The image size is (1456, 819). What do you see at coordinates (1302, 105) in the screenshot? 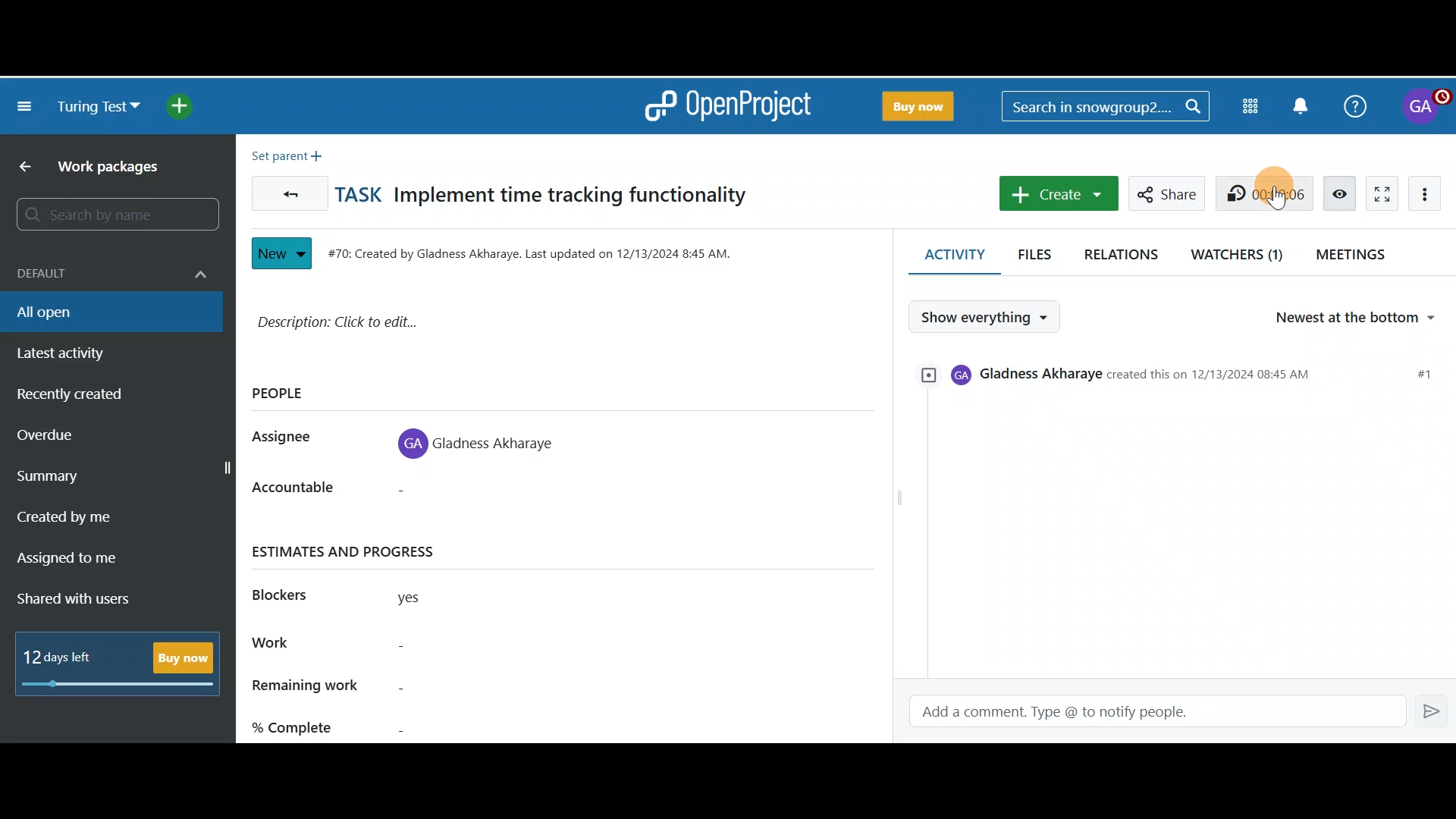
I see `Notification centre` at bounding box center [1302, 105].